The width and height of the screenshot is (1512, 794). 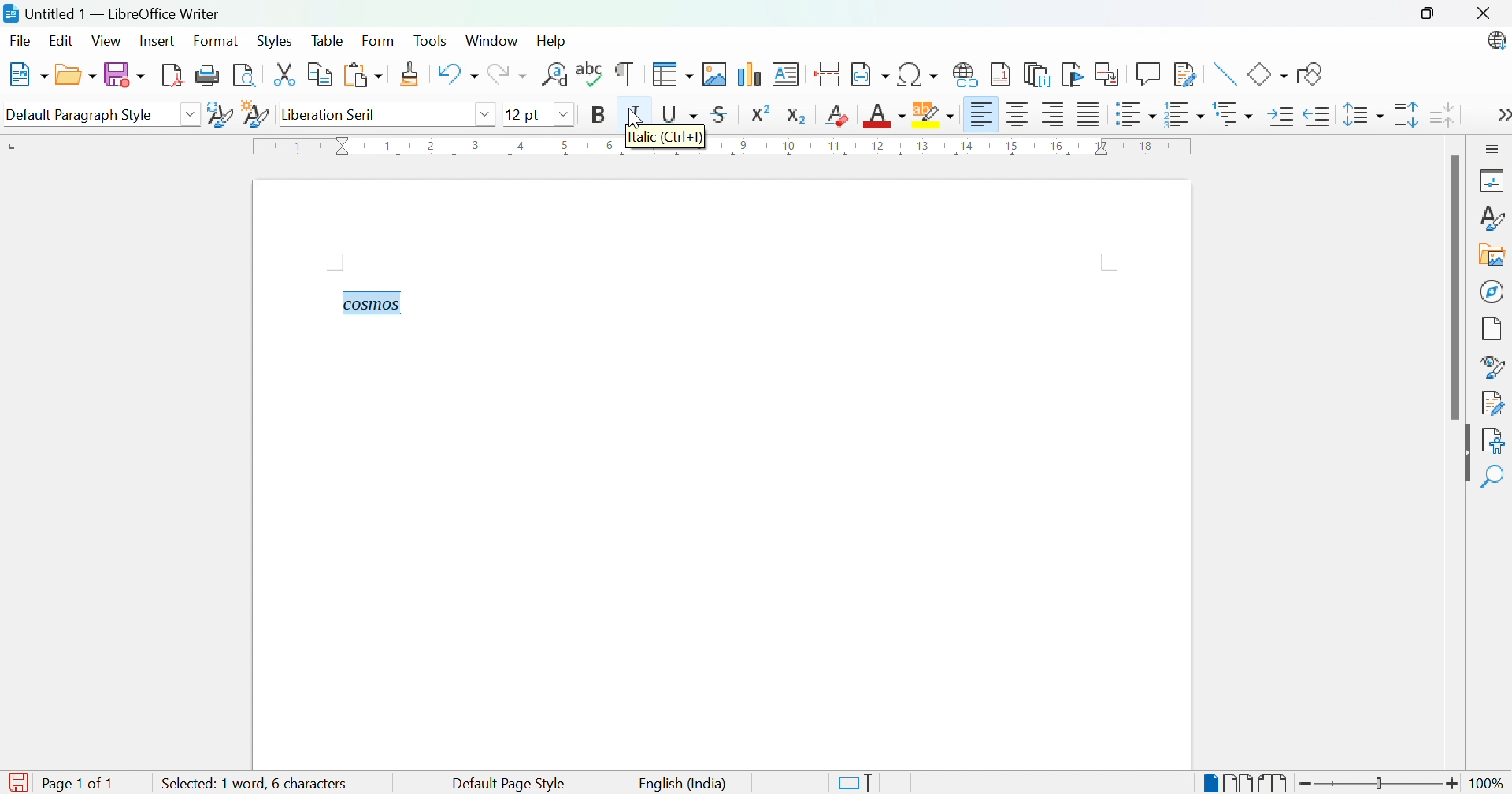 What do you see at coordinates (591, 73) in the screenshot?
I see `Check spelling` at bounding box center [591, 73].